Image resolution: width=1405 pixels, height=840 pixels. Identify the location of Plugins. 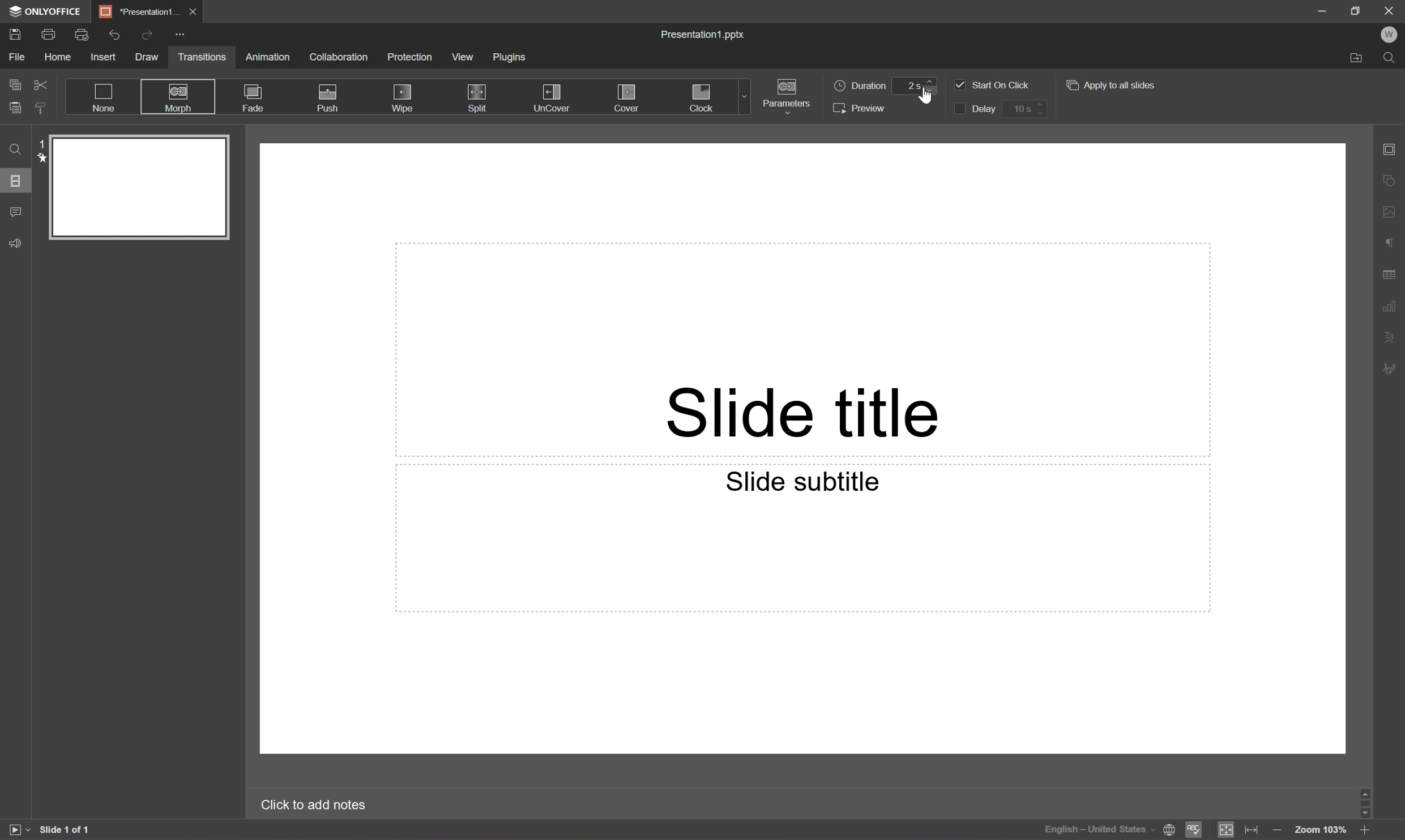
(510, 56).